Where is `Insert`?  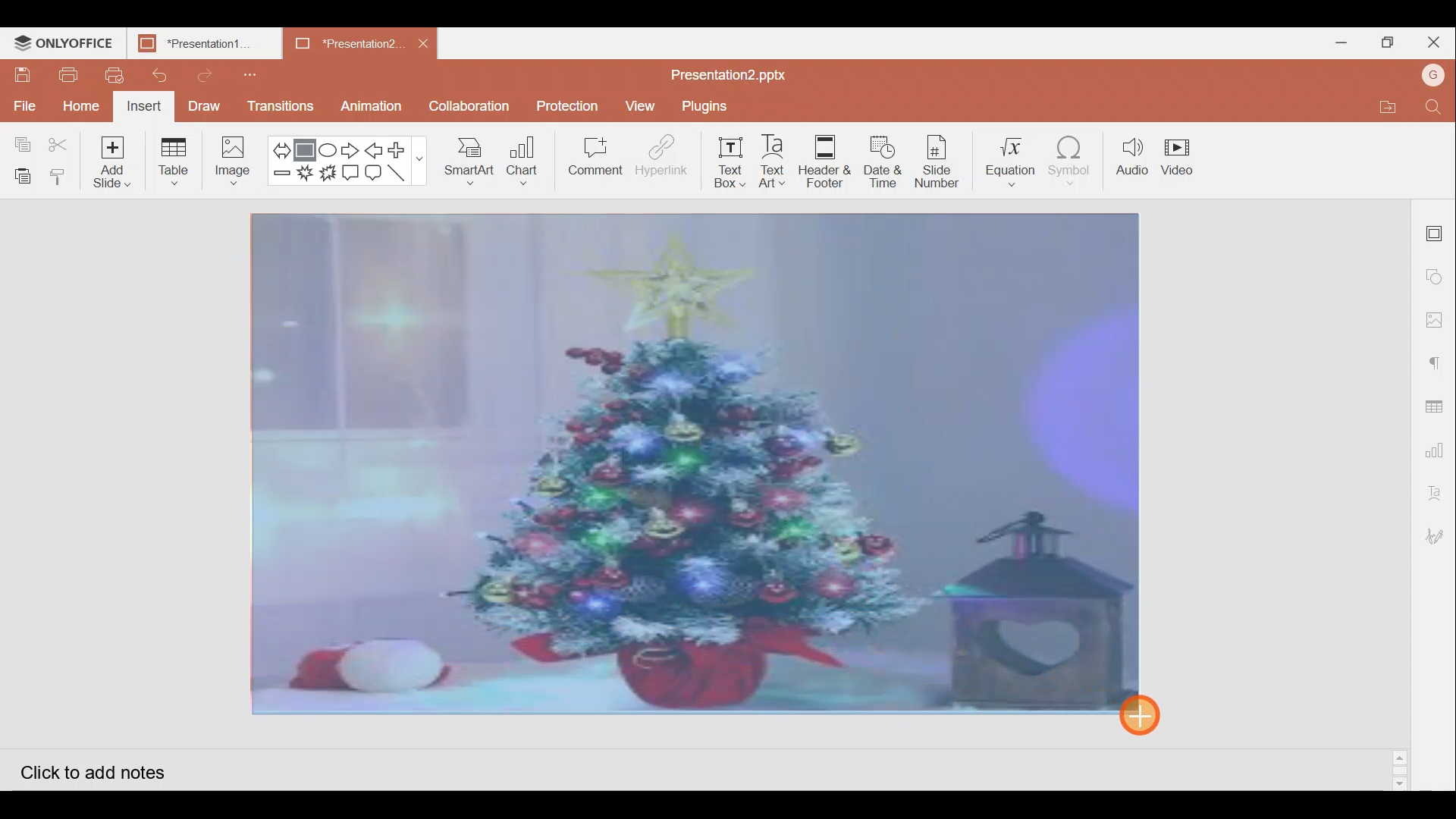 Insert is located at coordinates (146, 106).